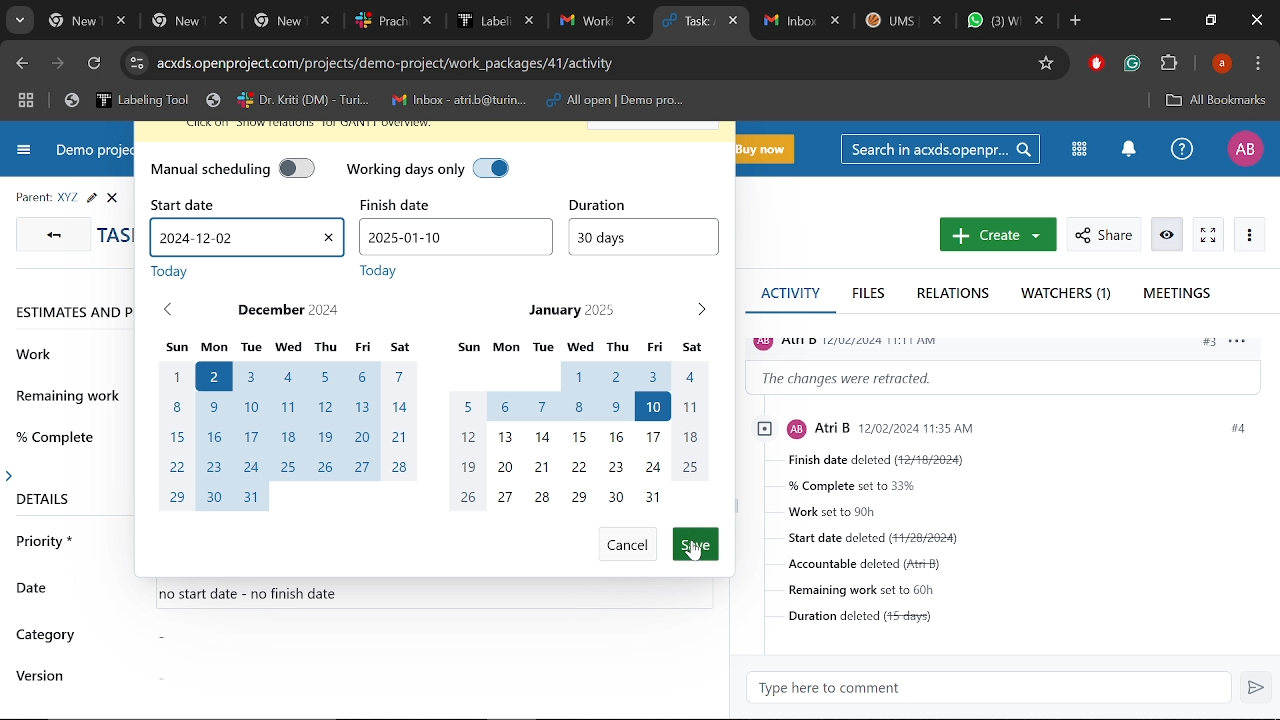 The image size is (1280, 720). What do you see at coordinates (209, 167) in the screenshot?
I see `manual scheduling` at bounding box center [209, 167].